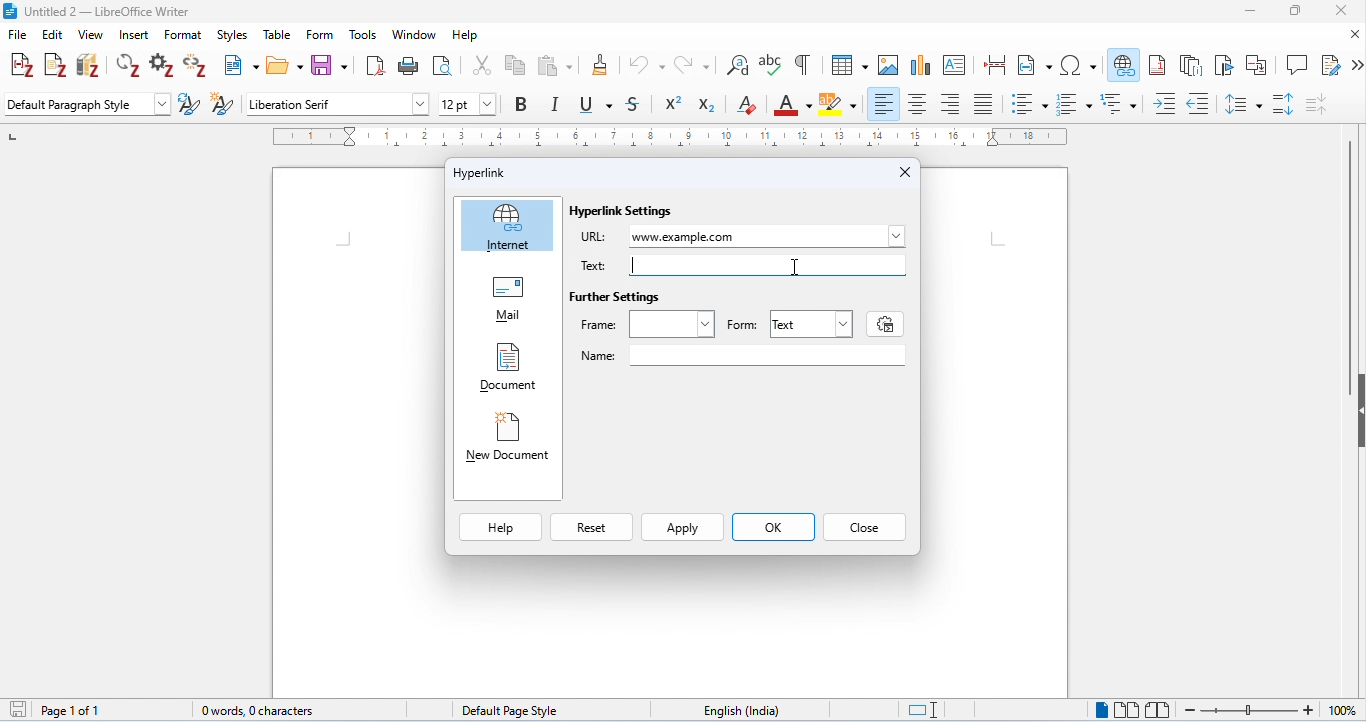 This screenshot has width=1366, height=722. What do you see at coordinates (674, 104) in the screenshot?
I see `superscript` at bounding box center [674, 104].